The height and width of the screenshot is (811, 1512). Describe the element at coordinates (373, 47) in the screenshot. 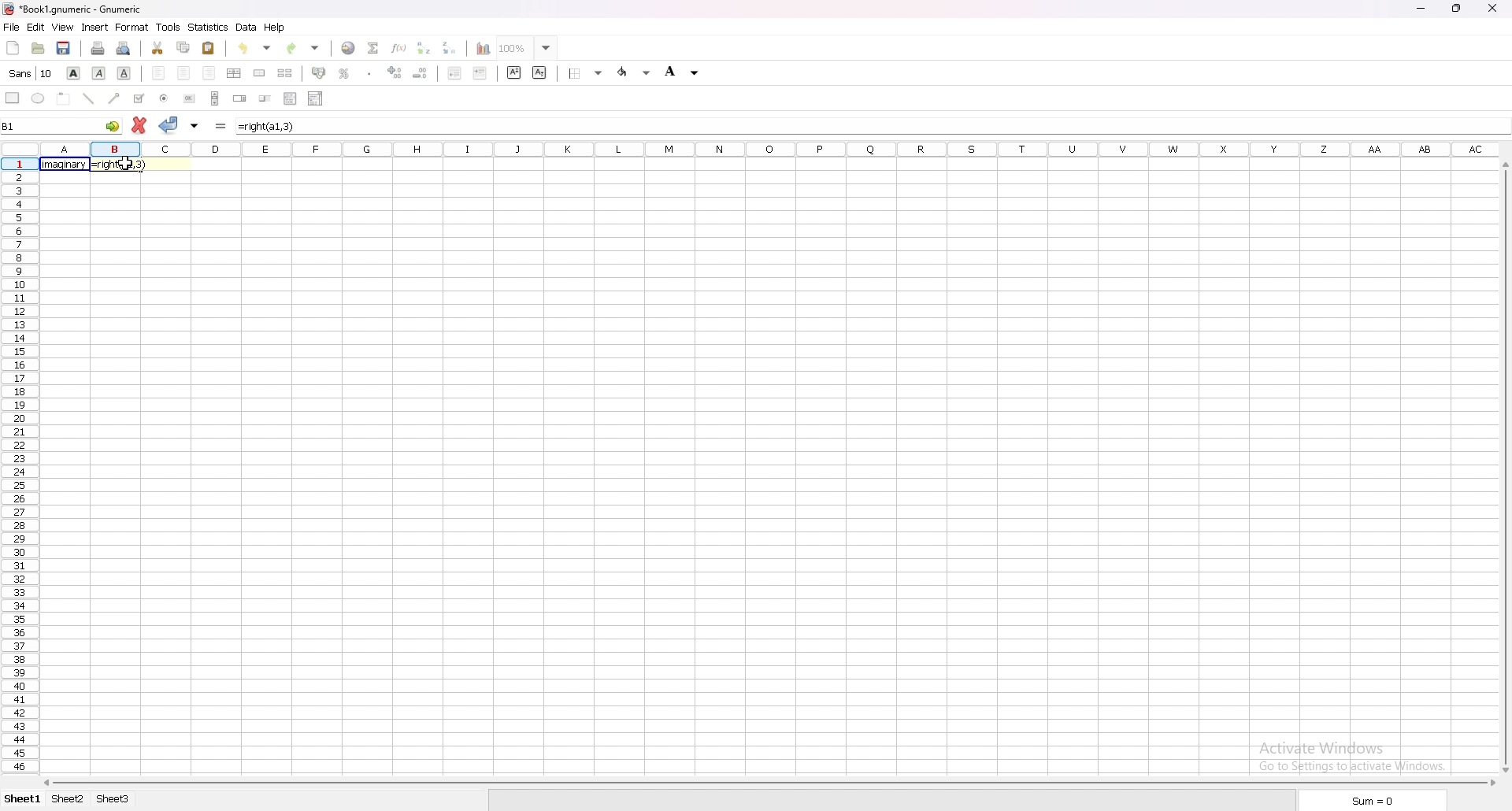

I see `summation` at that location.